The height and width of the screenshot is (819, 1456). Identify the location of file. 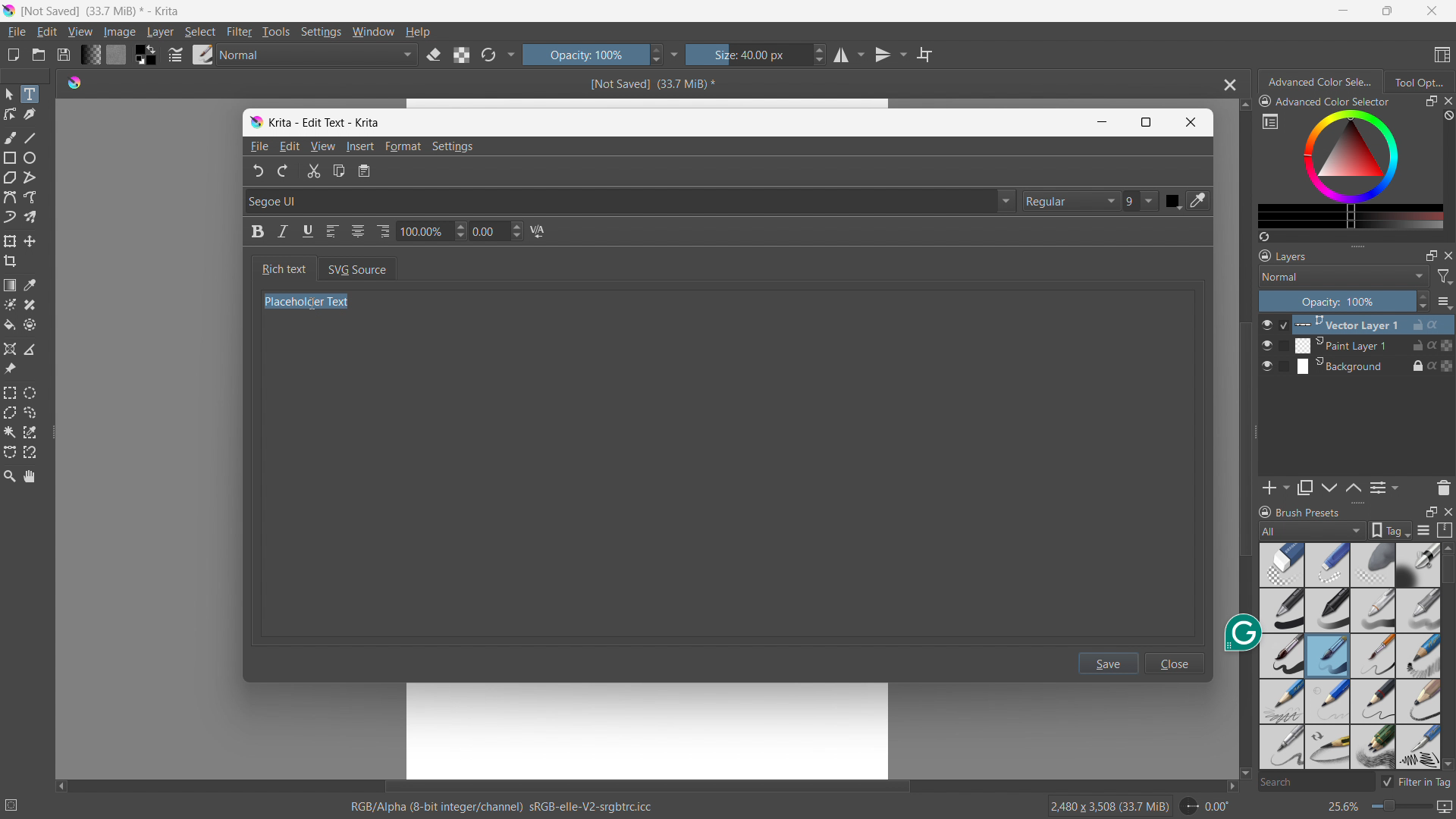
(259, 146).